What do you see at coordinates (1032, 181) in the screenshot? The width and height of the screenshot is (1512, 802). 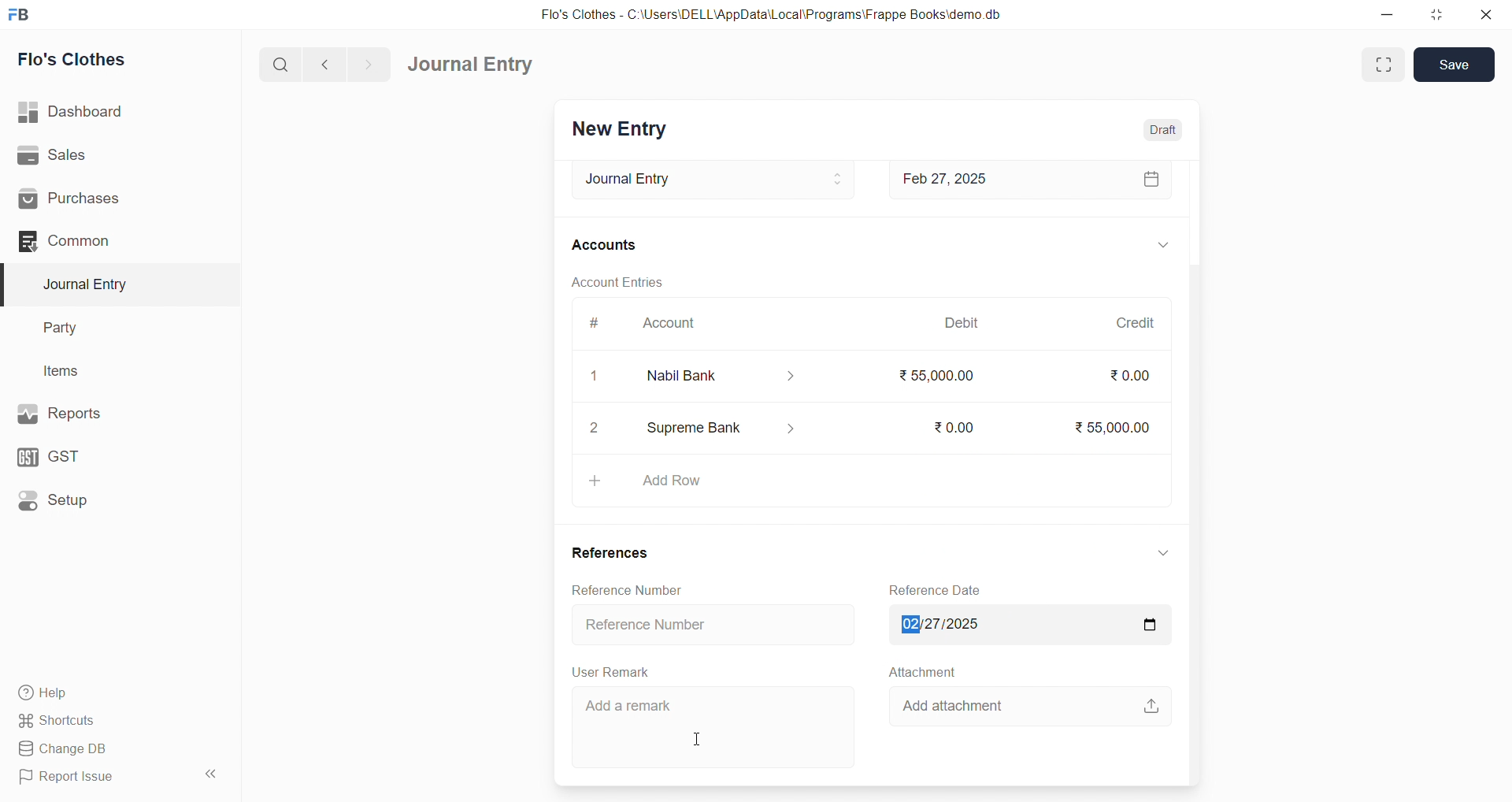 I see `Feb 27, 2025` at bounding box center [1032, 181].